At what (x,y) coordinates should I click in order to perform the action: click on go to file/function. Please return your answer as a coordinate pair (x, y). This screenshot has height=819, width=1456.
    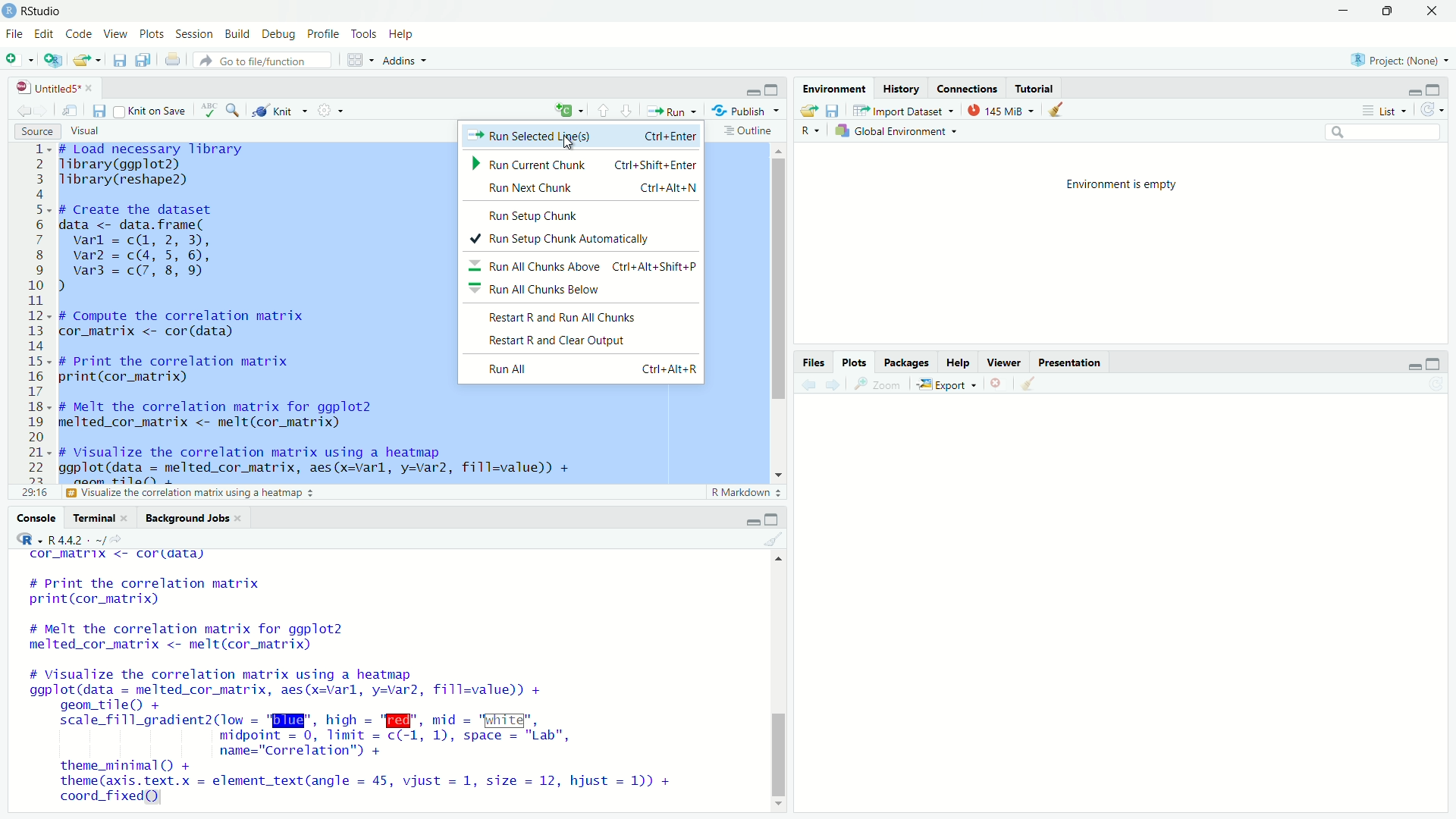
    Looking at the image, I should click on (264, 60).